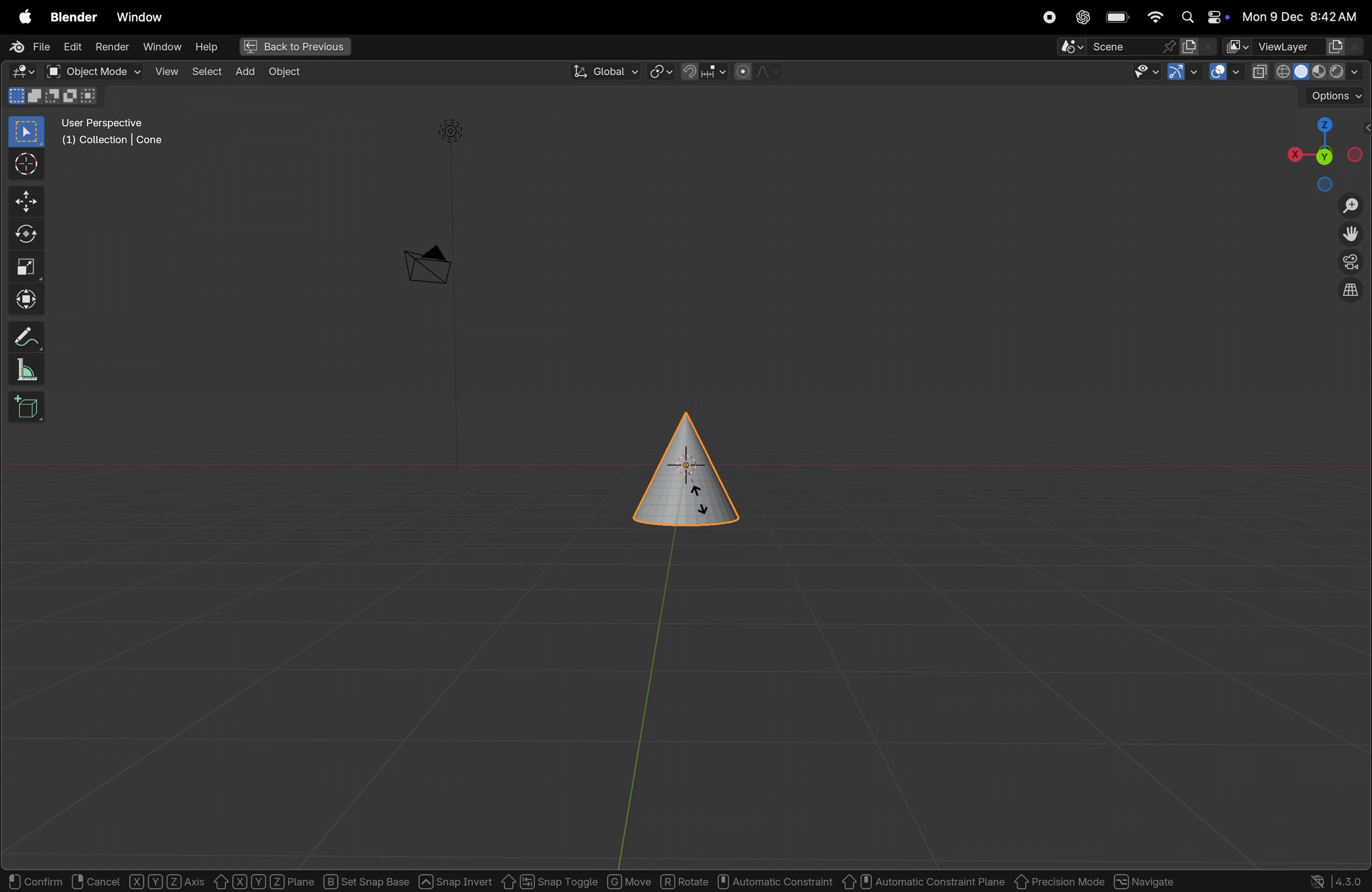 Image resolution: width=1372 pixels, height=892 pixels. What do you see at coordinates (457, 880) in the screenshot?
I see `snap invert` at bounding box center [457, 880].